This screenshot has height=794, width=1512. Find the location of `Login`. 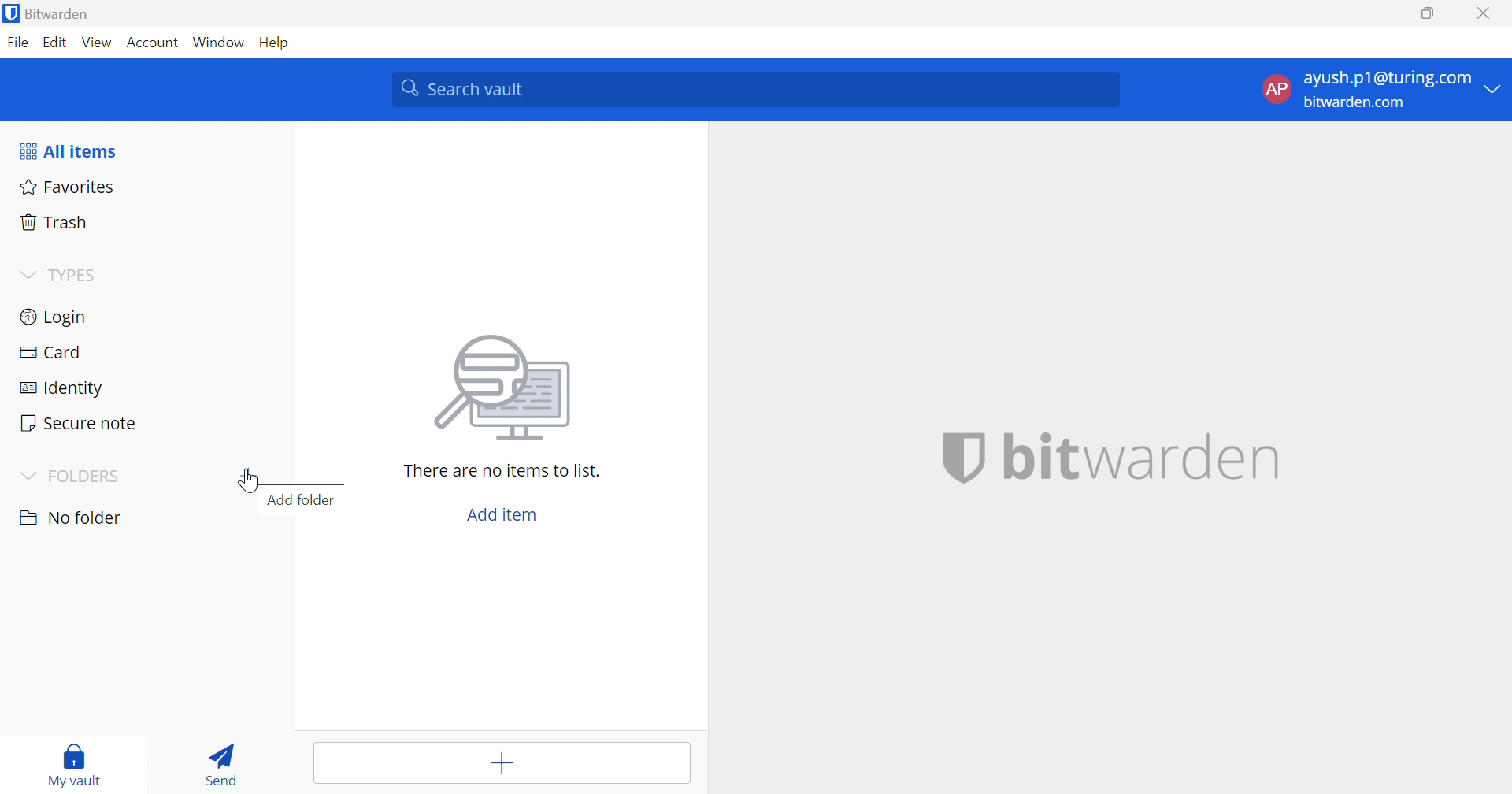

Login is located at coordinates (54, 319).